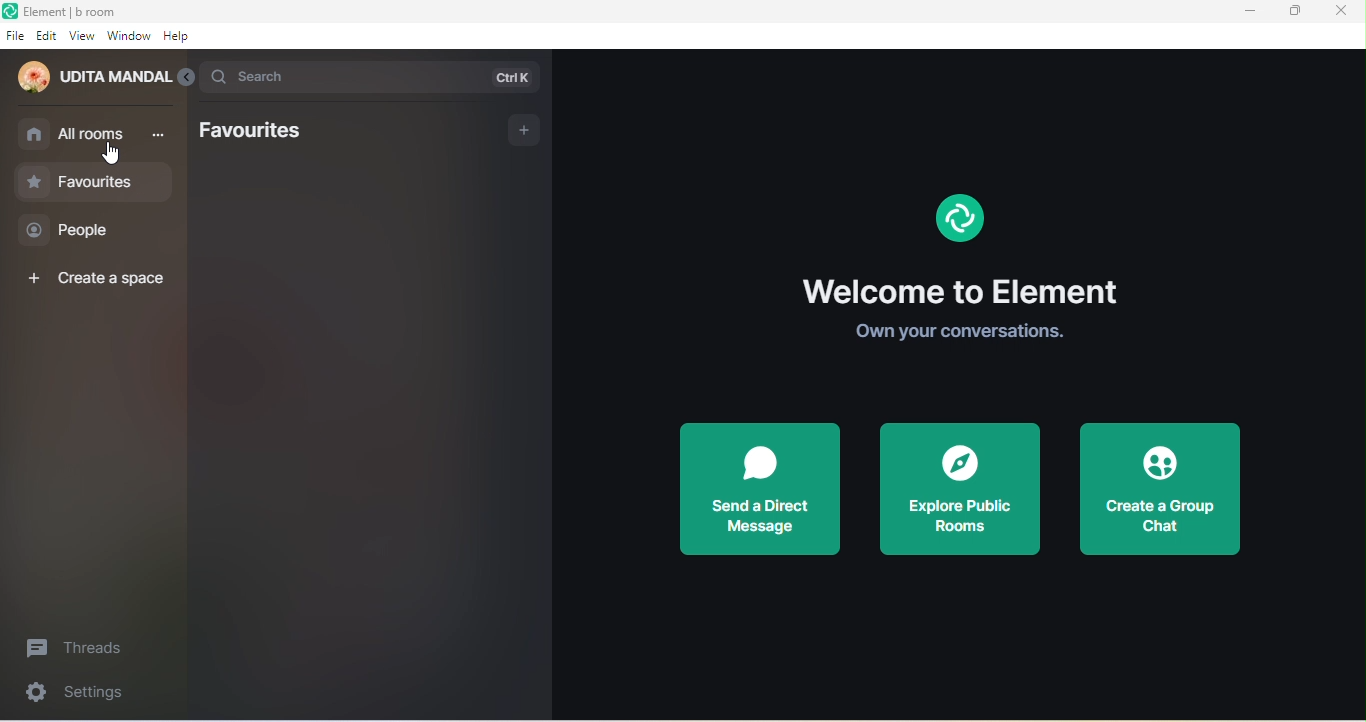  What do you see at coordinates (1251, 10) in the screenshot?
I see `minimize` at bounding box center [1251, 10].